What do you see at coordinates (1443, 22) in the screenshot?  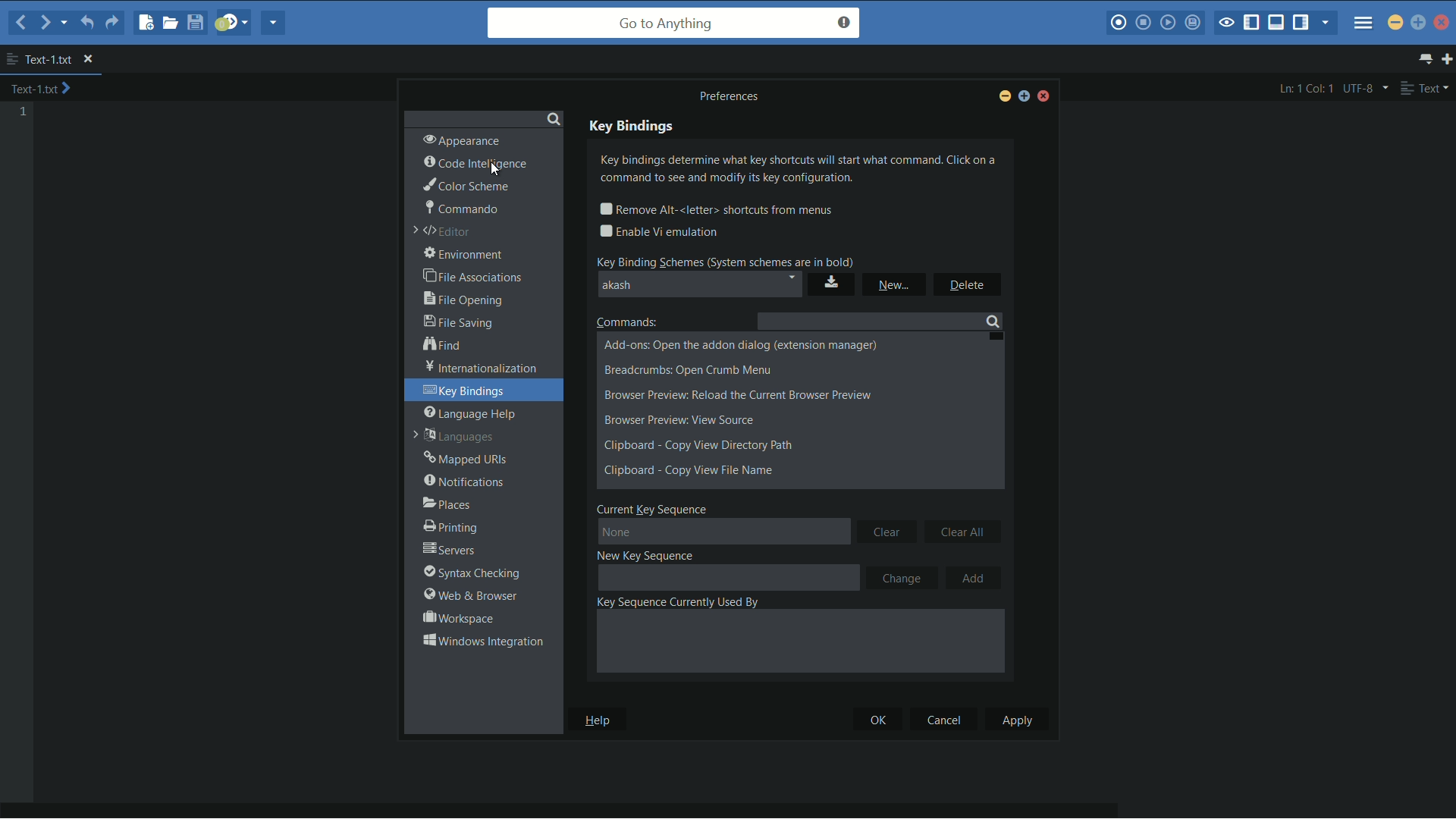 I see `close app` at bounding box center [1443, 22].